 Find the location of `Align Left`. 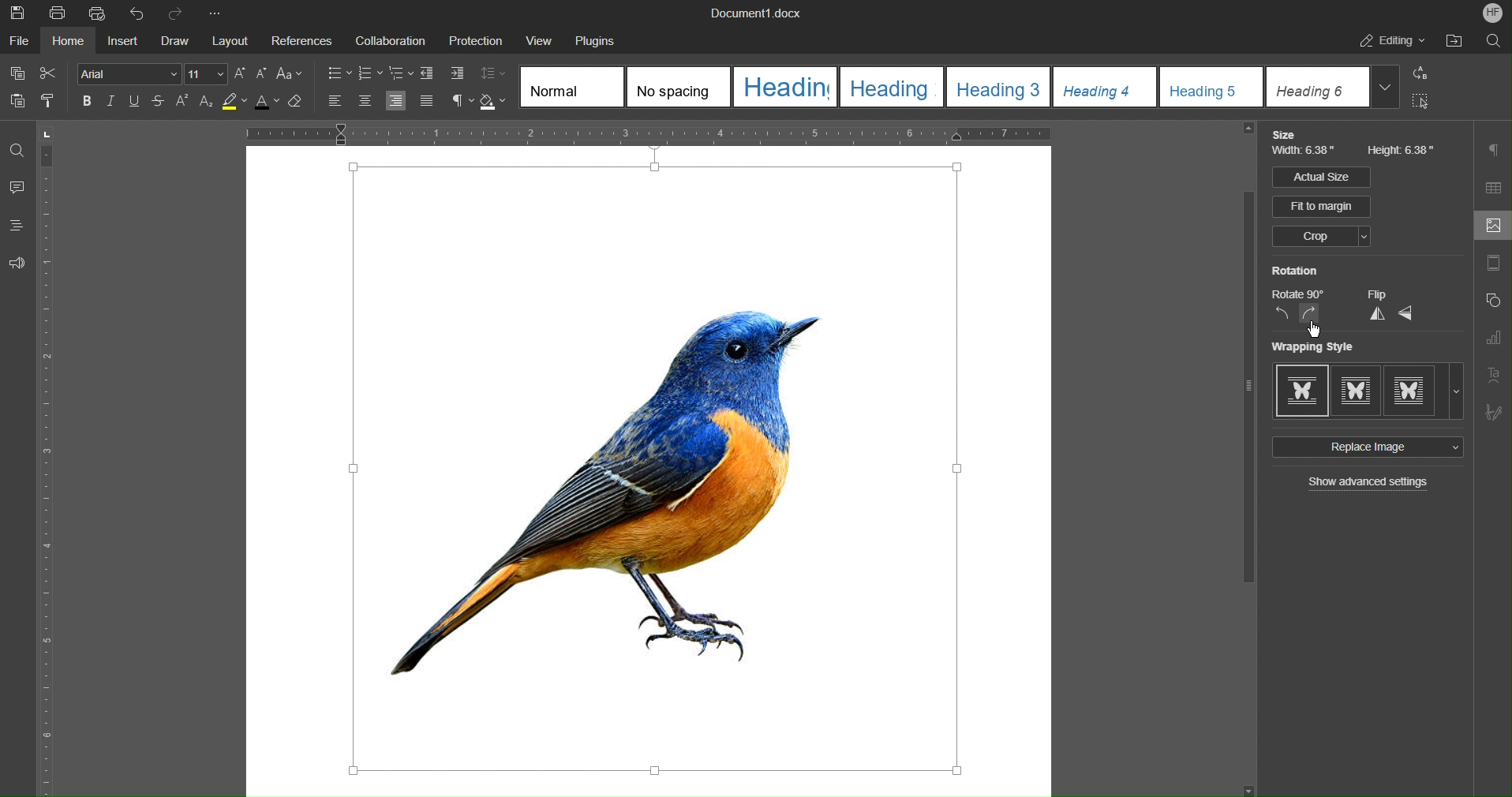

Align Left is located at coordinates (336, 102).